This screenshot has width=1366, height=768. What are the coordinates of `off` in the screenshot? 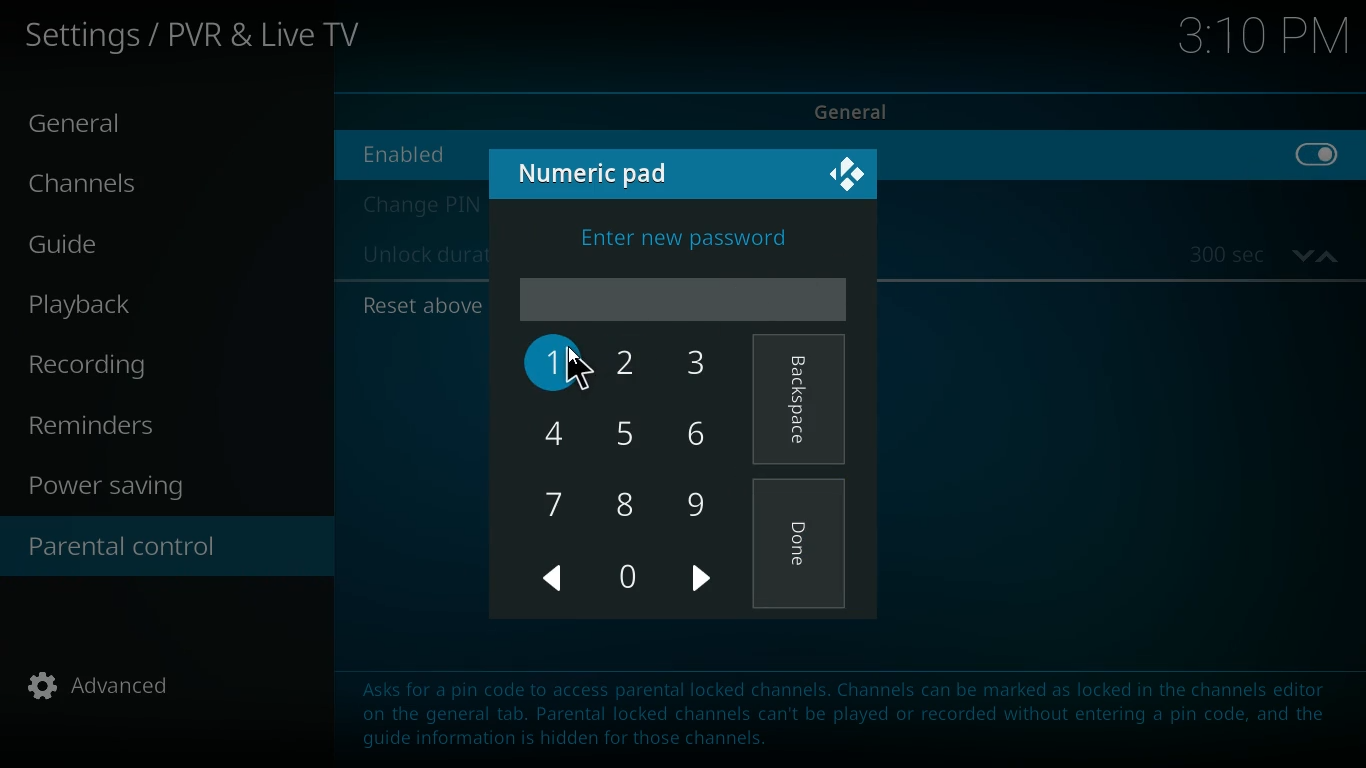 It's located at (1318, 166).